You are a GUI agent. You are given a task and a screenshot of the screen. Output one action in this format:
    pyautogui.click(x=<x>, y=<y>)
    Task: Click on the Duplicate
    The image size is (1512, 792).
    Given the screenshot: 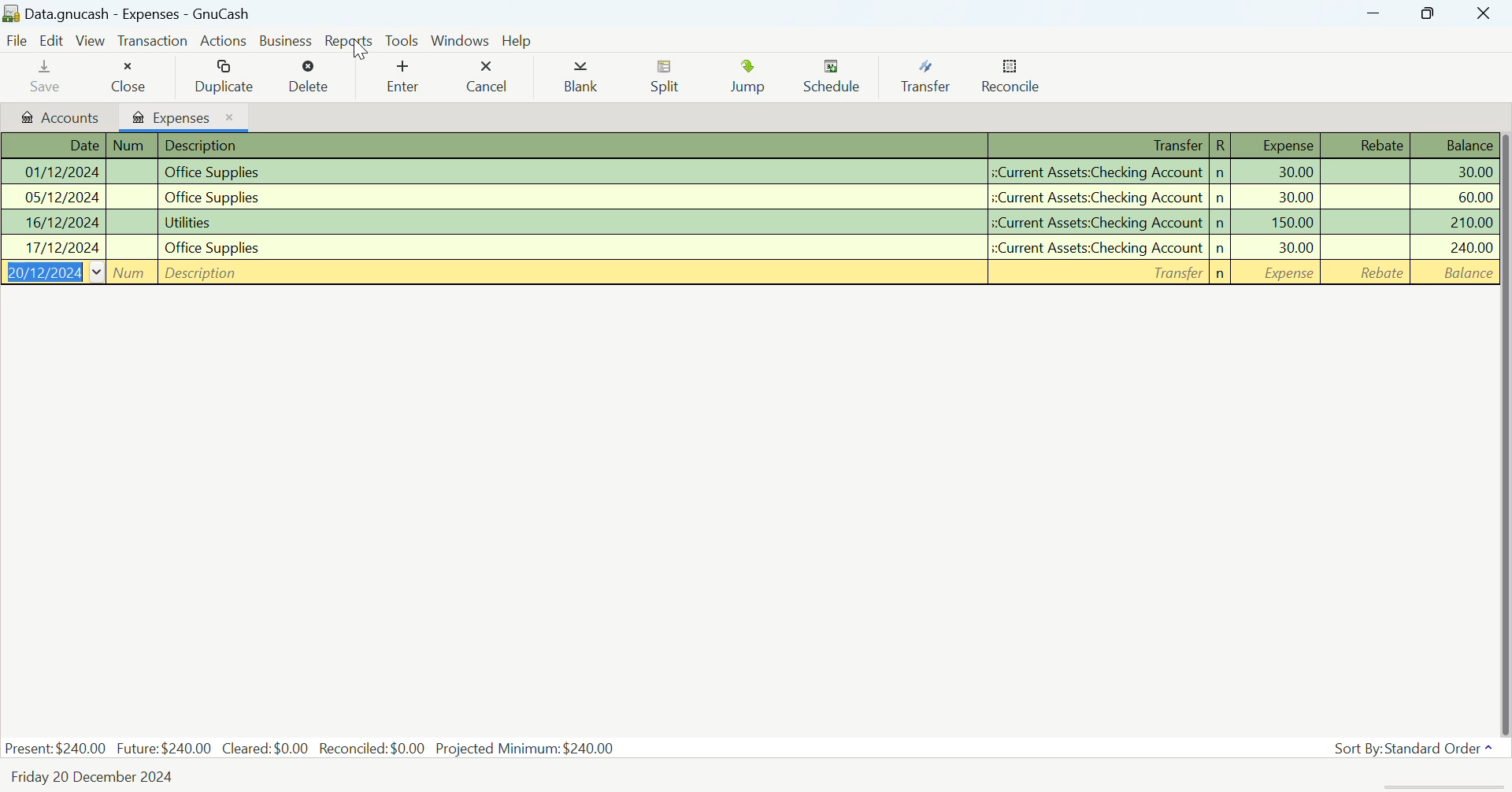 What is the action you would take?
    pyautogui.click(x=227, y=76)
    